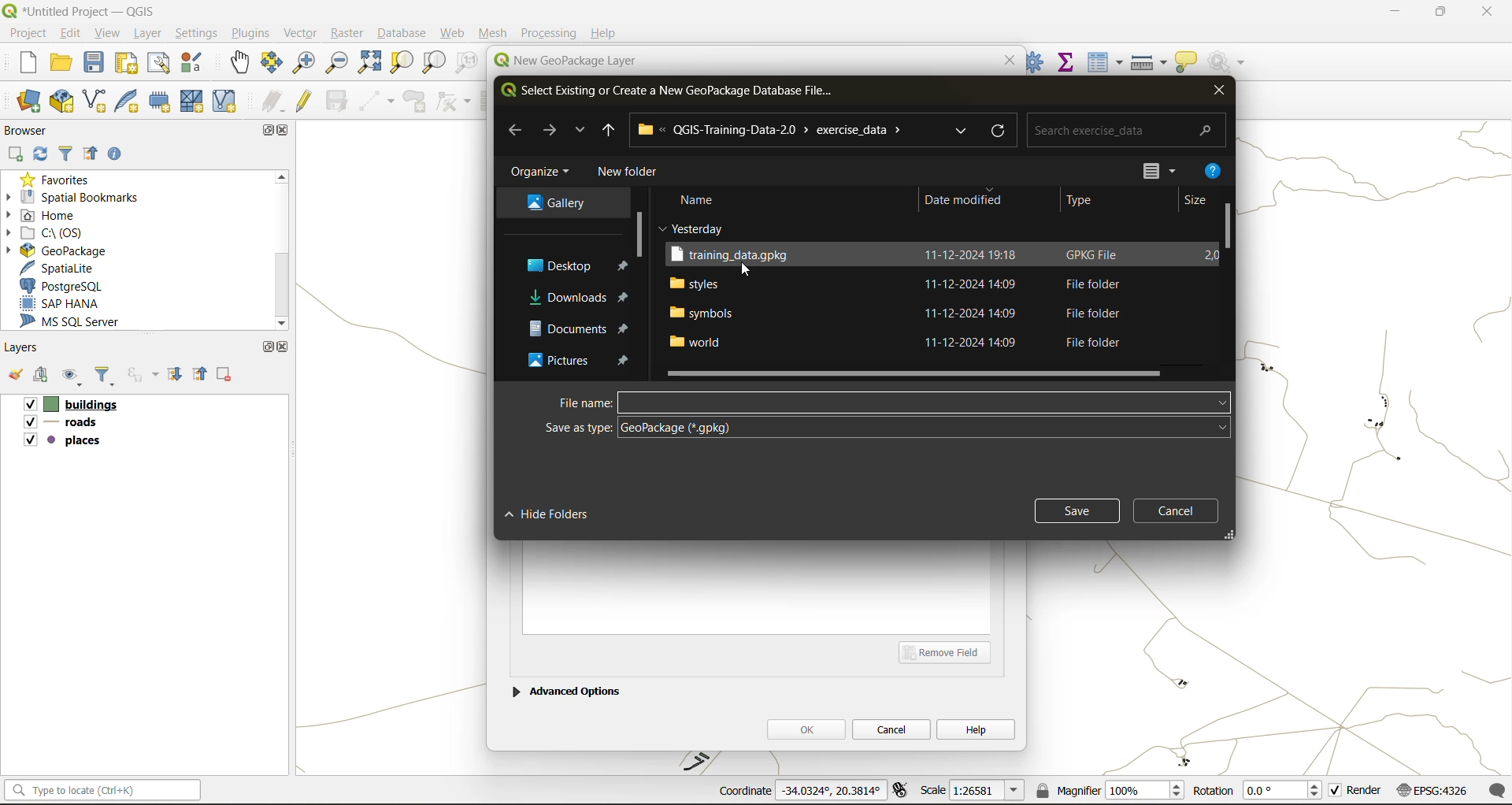 This screenshot has height=805, width=1512. What do you see at coordinates (95, 102) in the screenshot?
I see `new shapefile layer` at bounding box center [95, 102].